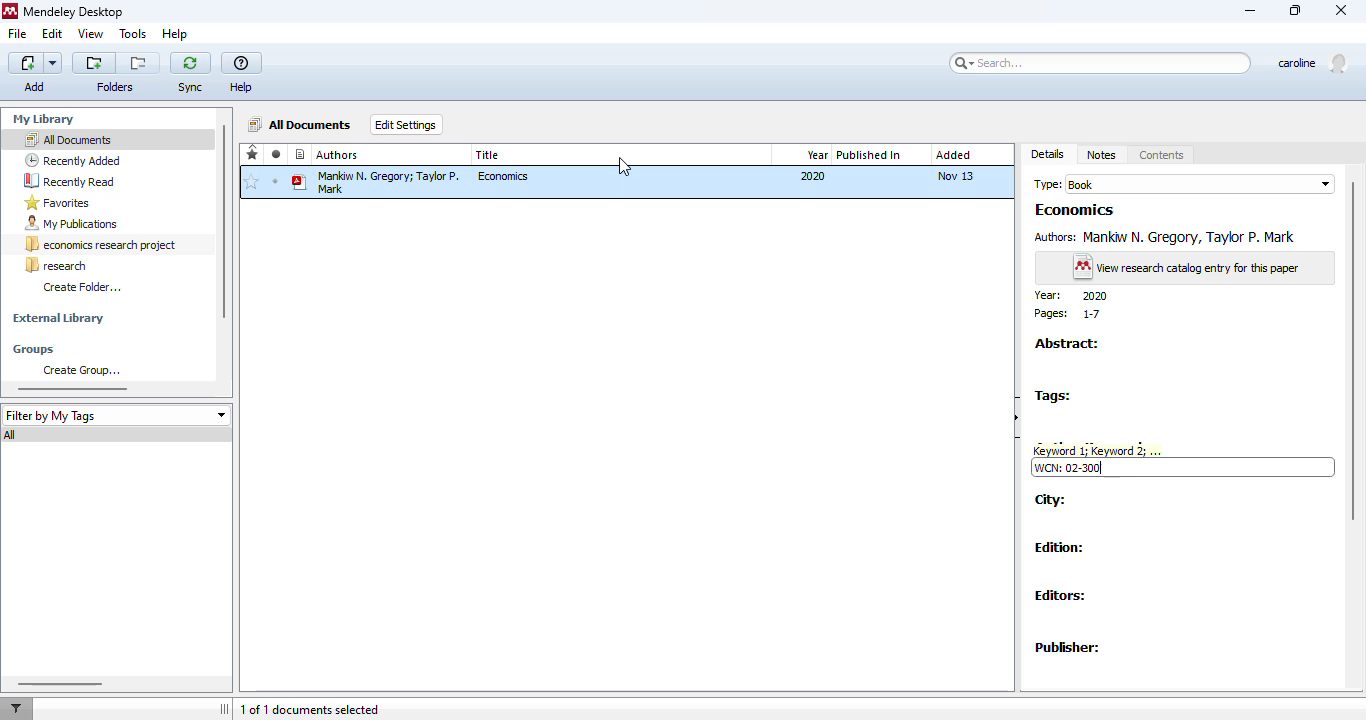 This screenshot has height=720, width=1366. I want to click on tools, so click(133, 34).